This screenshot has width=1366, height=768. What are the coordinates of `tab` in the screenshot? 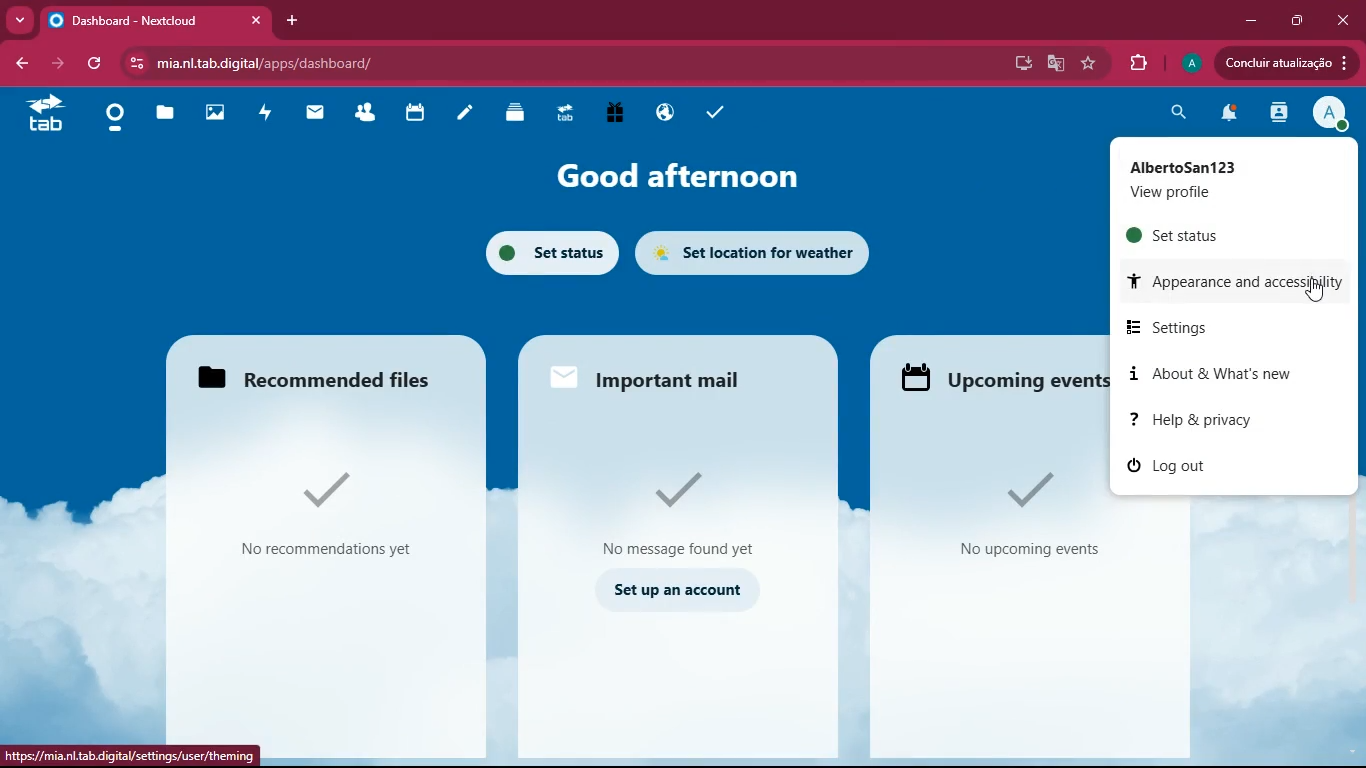 It's located at (569, 116).